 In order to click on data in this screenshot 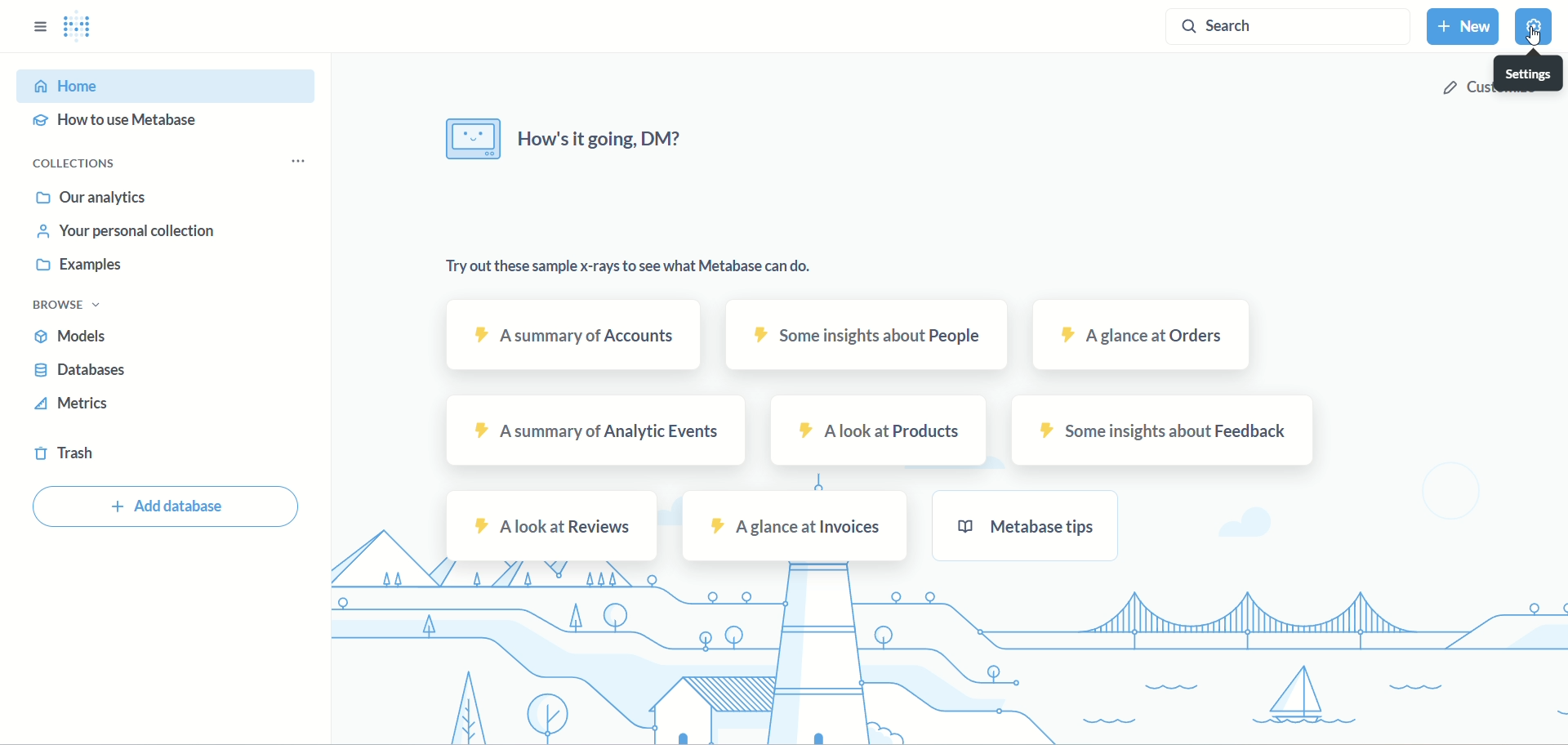, I will do `click(639, 269)`.